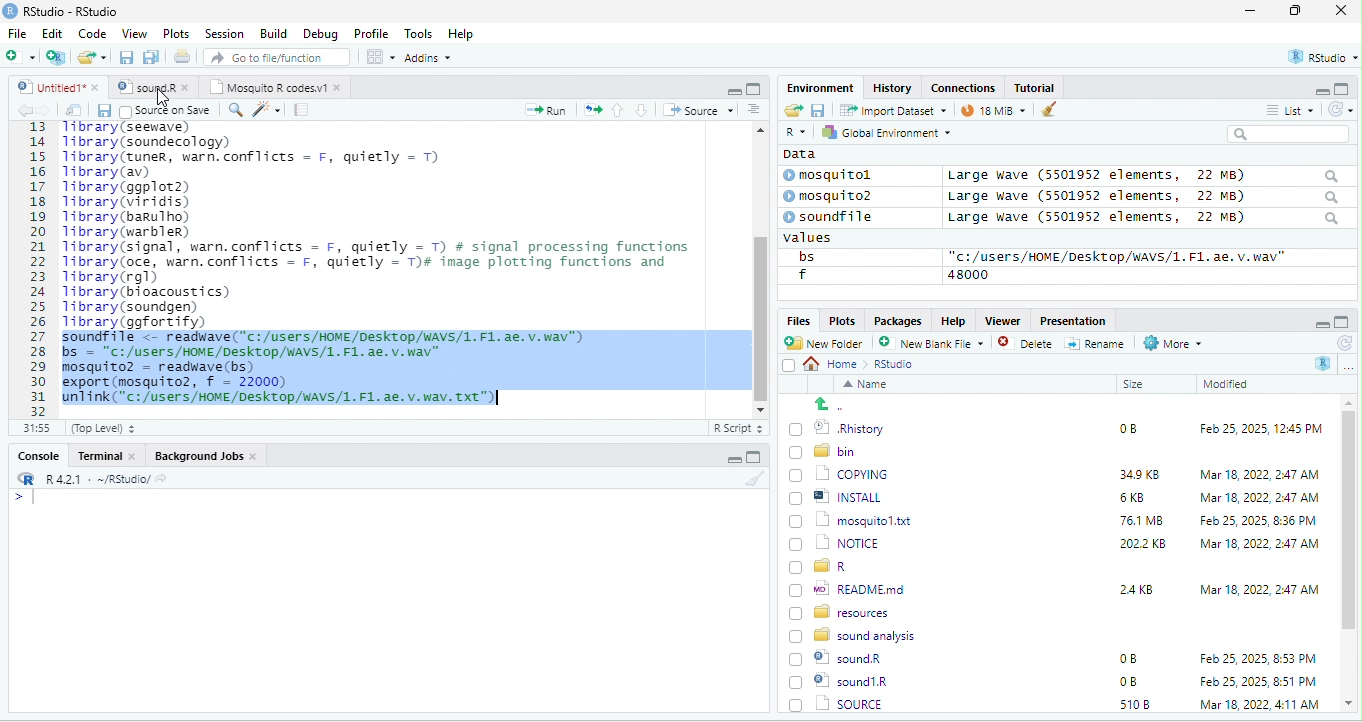 The height and width of the screenshot is (722, 1362). What do you see at coordinates (276, 87) in the screenshot?
I see `Mosquito R codes.v1` at bounding box center [276, 87].